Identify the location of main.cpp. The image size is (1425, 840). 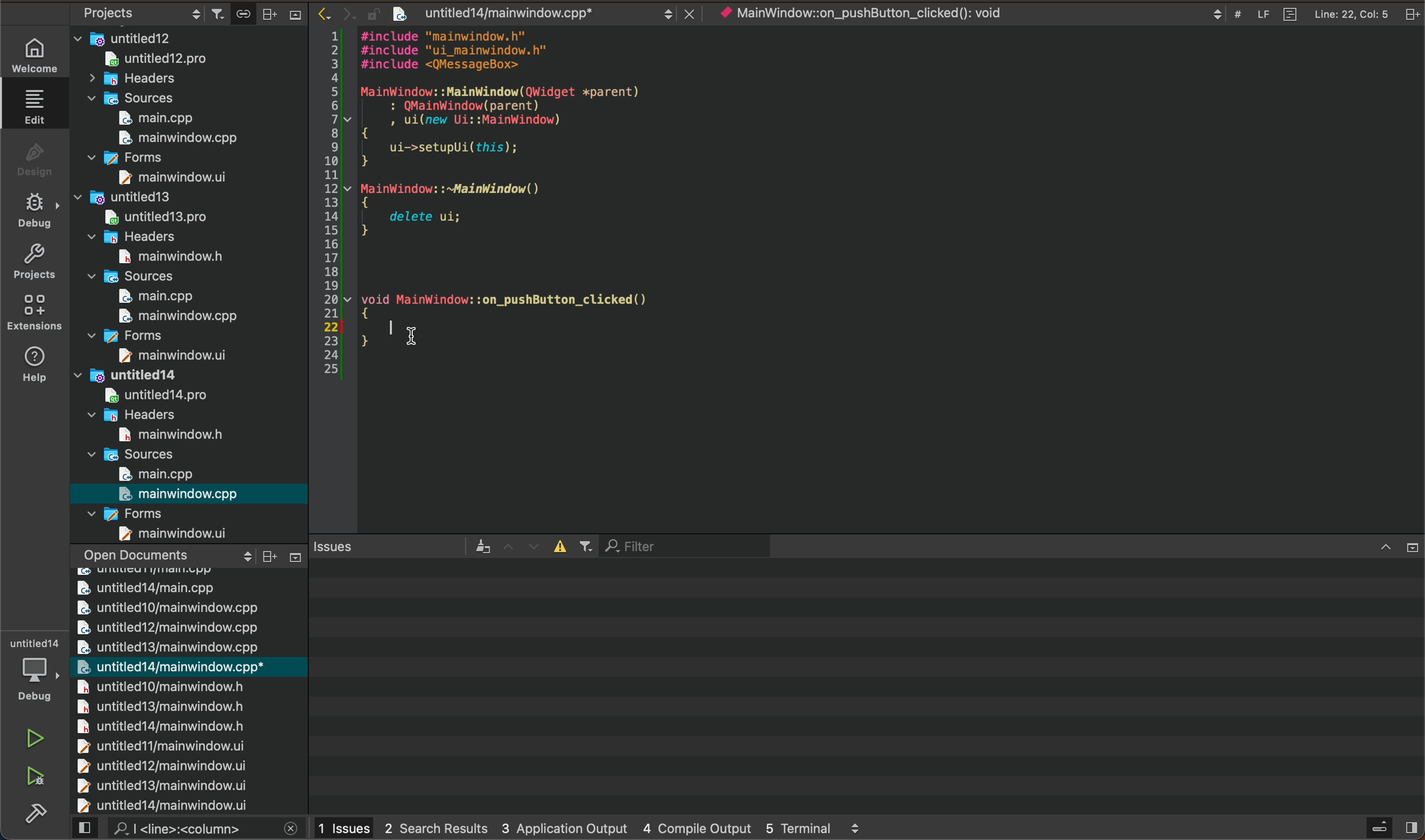
(147, 297).